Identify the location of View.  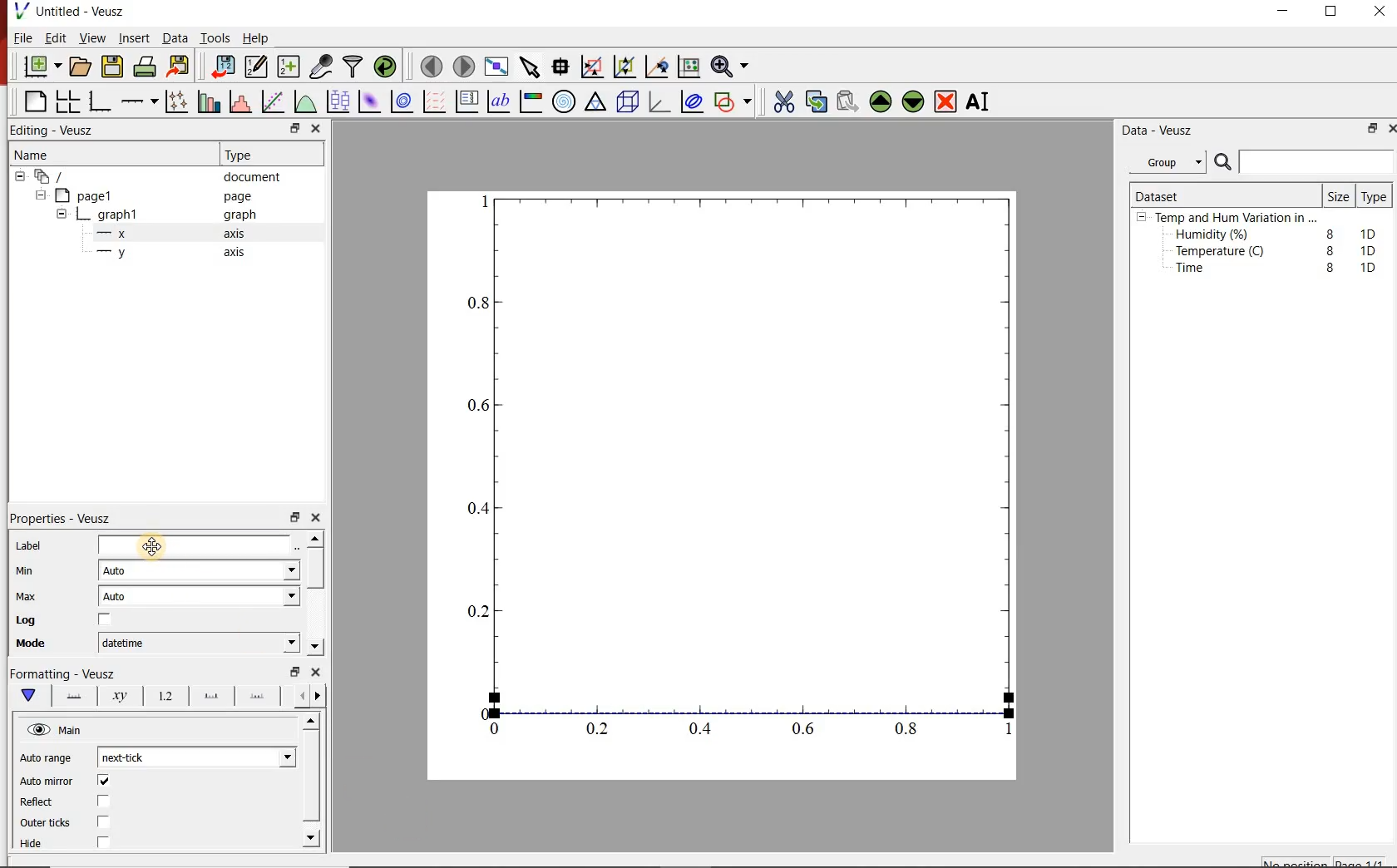
(92, 38).